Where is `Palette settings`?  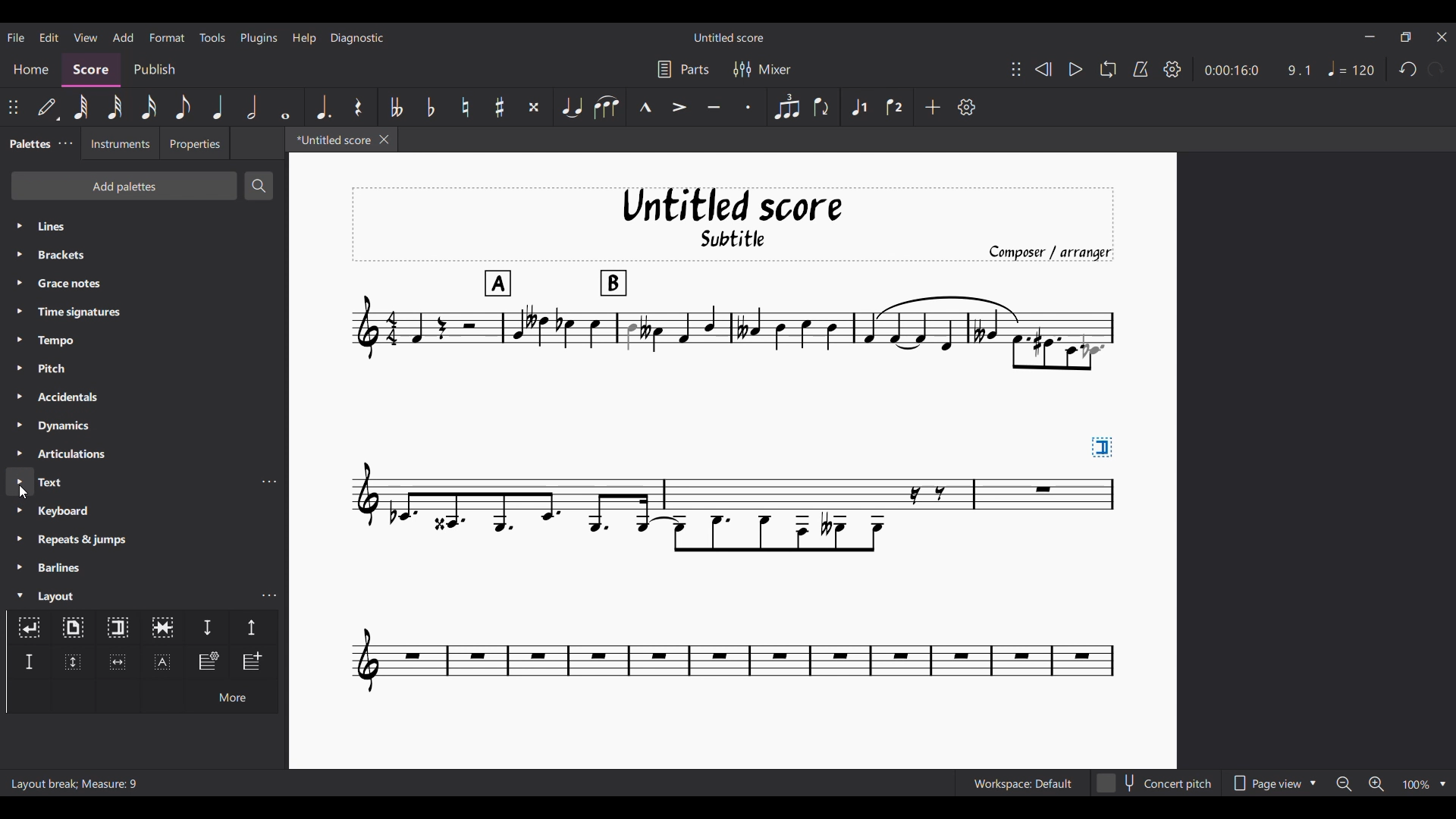 Palette settings is located at coordinates (66, 143).